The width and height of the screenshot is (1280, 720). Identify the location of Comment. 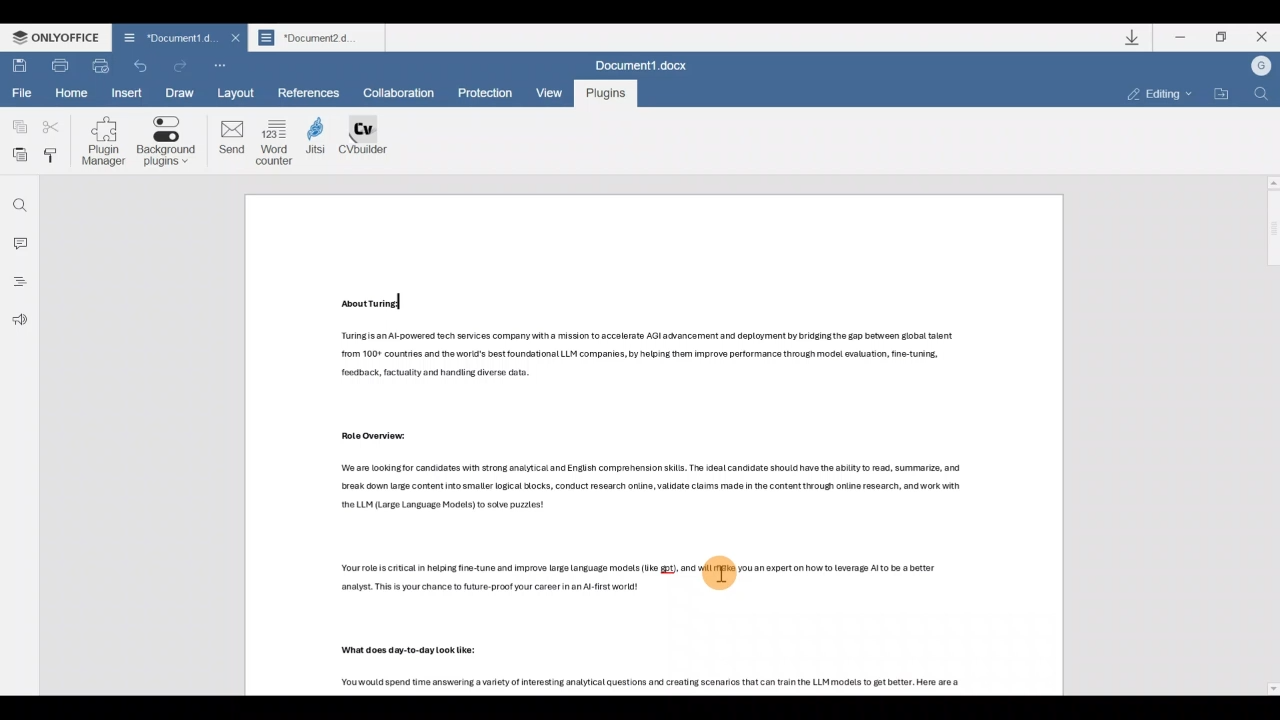
(18, 243).